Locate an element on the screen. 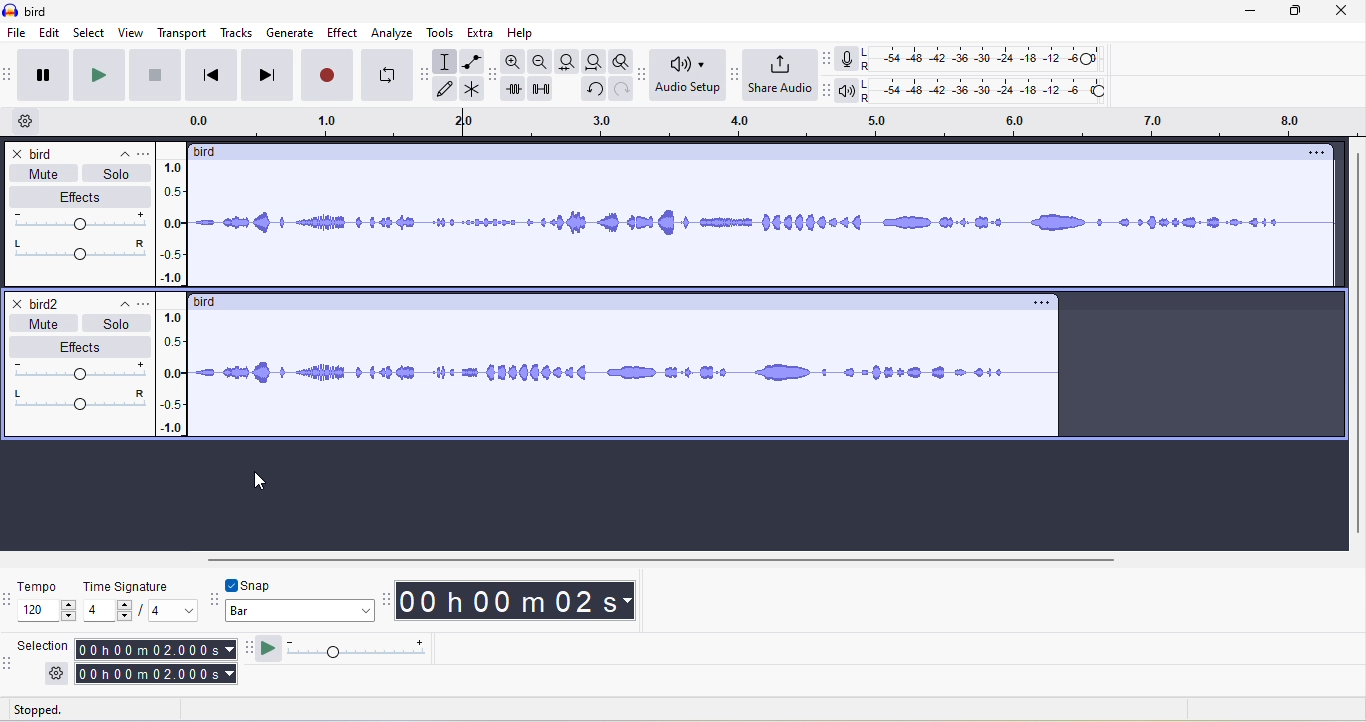 This screenshot has height=722, width=1366. amplitude is located at coordinates (172, 372).